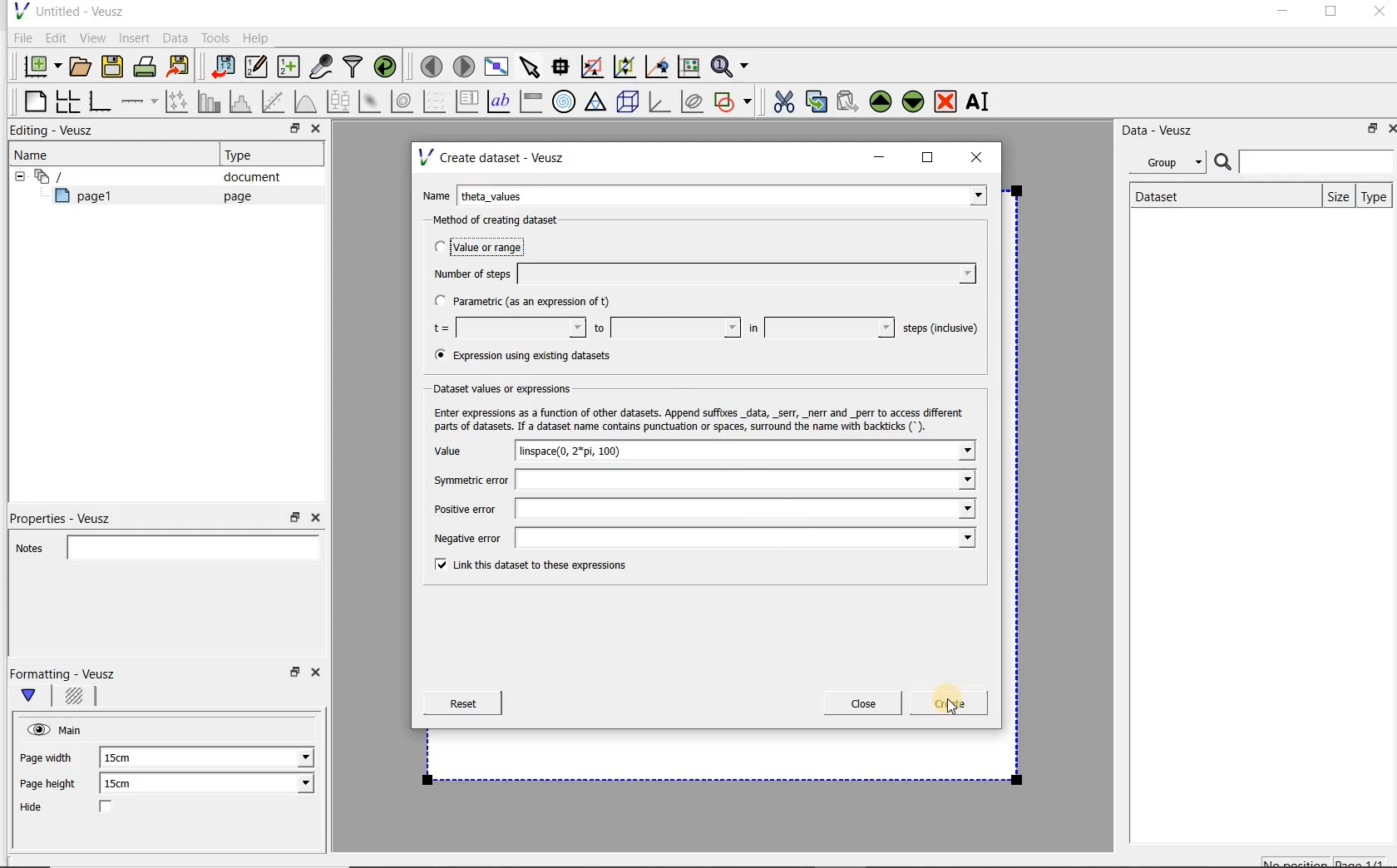 This screenshot has width=1397, height=868. What do you see at coordinates (464, 67) in the screenshot?
I see `move to the next page` at bounding box center [464, 67].